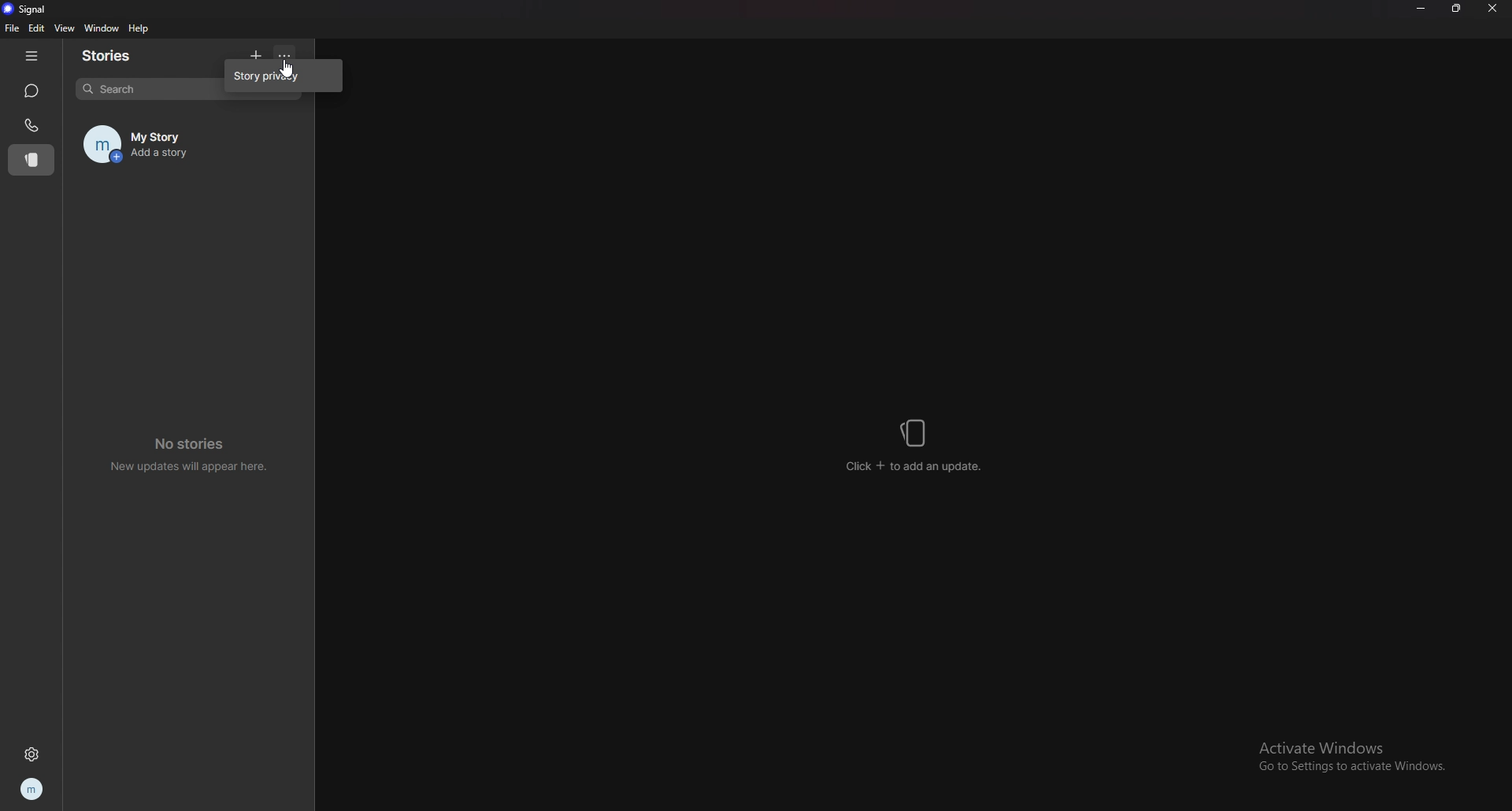  Describe the element at coordinates (120, 56) in the screenshot. I see `stories` at that location.